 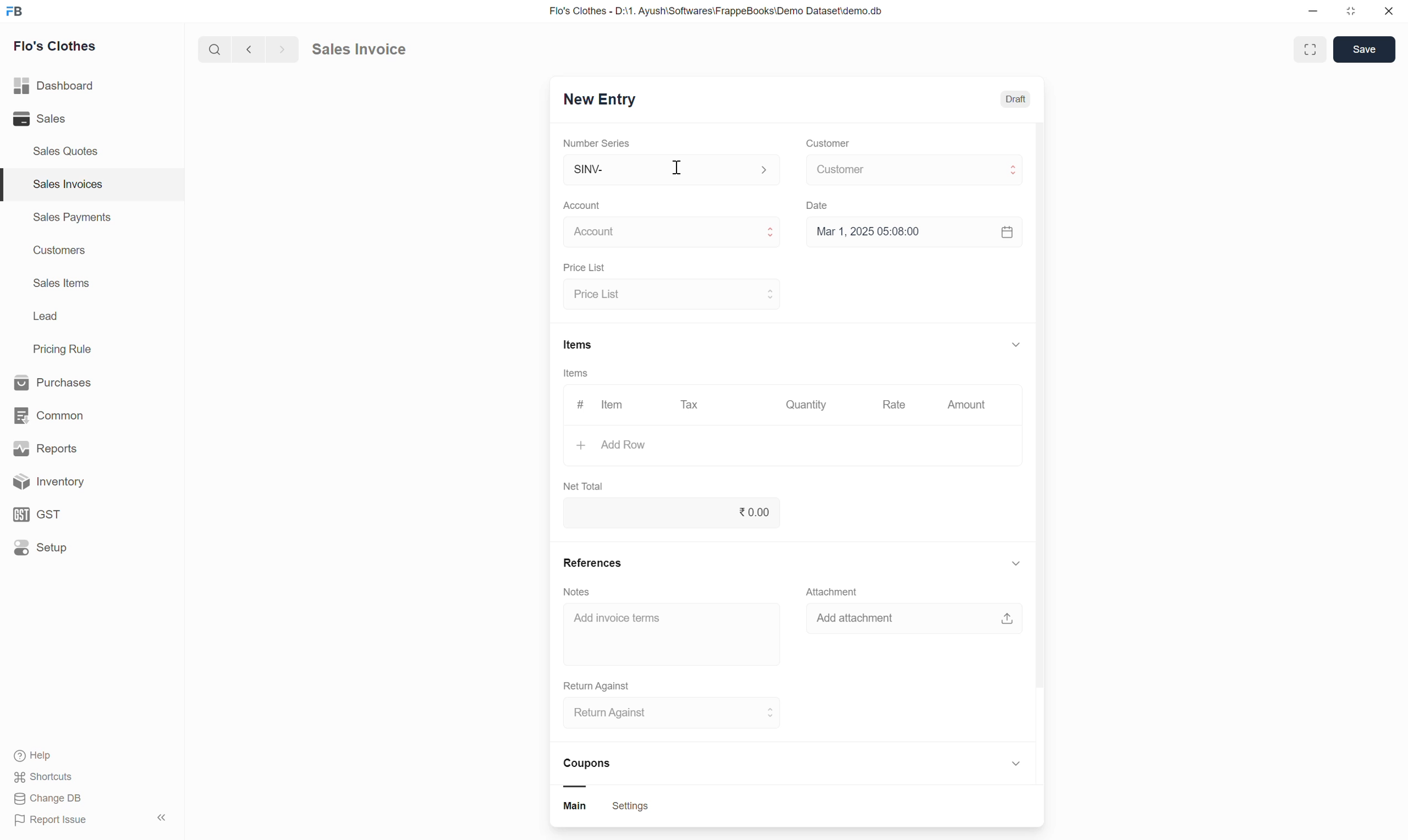 I want to click on GST , so click(x=79, y=513).